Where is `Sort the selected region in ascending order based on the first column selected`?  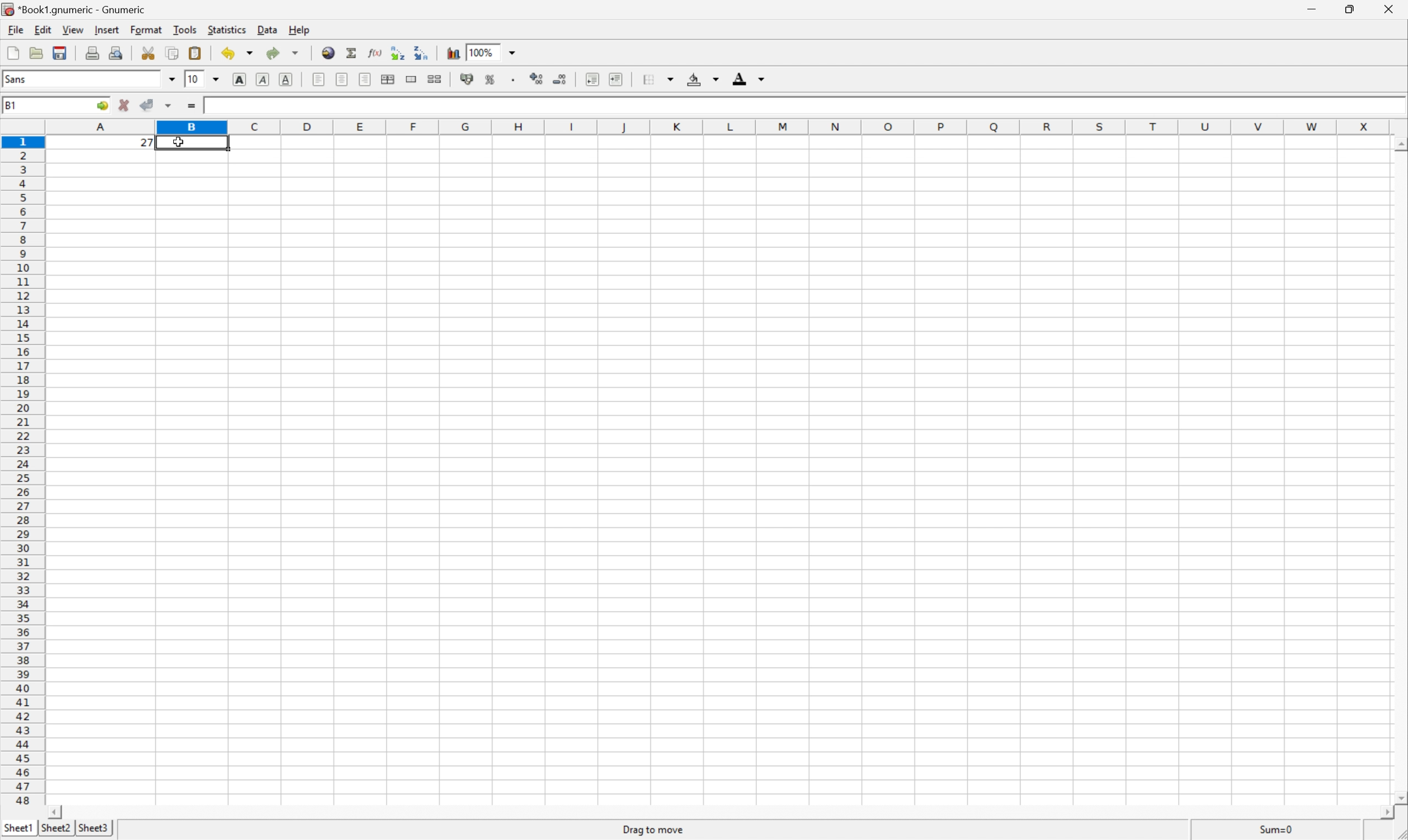 Sort the selected region in ascending order based on the first column selected is located at coordinates (398, 52).